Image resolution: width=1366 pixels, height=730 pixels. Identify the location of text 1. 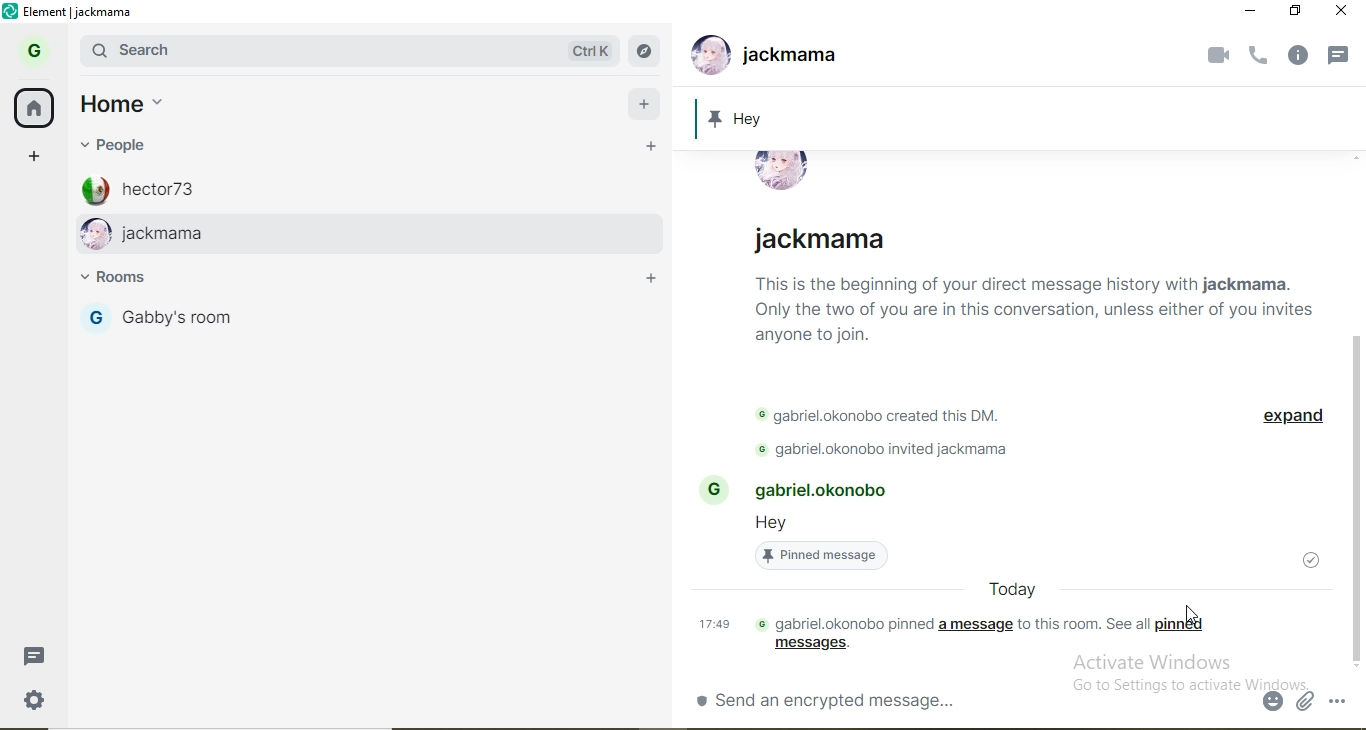
(841, 620).